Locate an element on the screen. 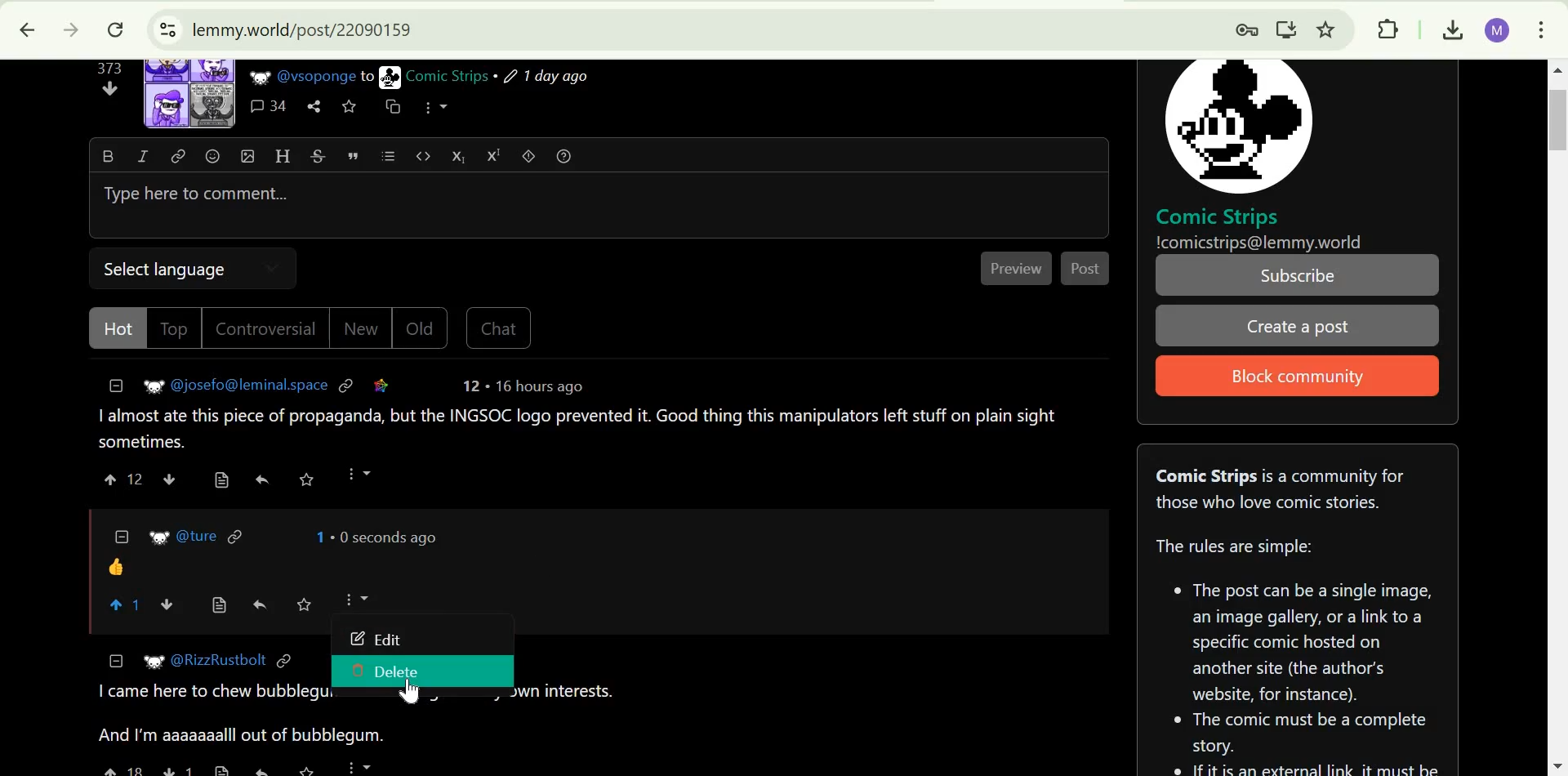 The image size is (1568, 776). upload image is located at coordinates (247, 155).